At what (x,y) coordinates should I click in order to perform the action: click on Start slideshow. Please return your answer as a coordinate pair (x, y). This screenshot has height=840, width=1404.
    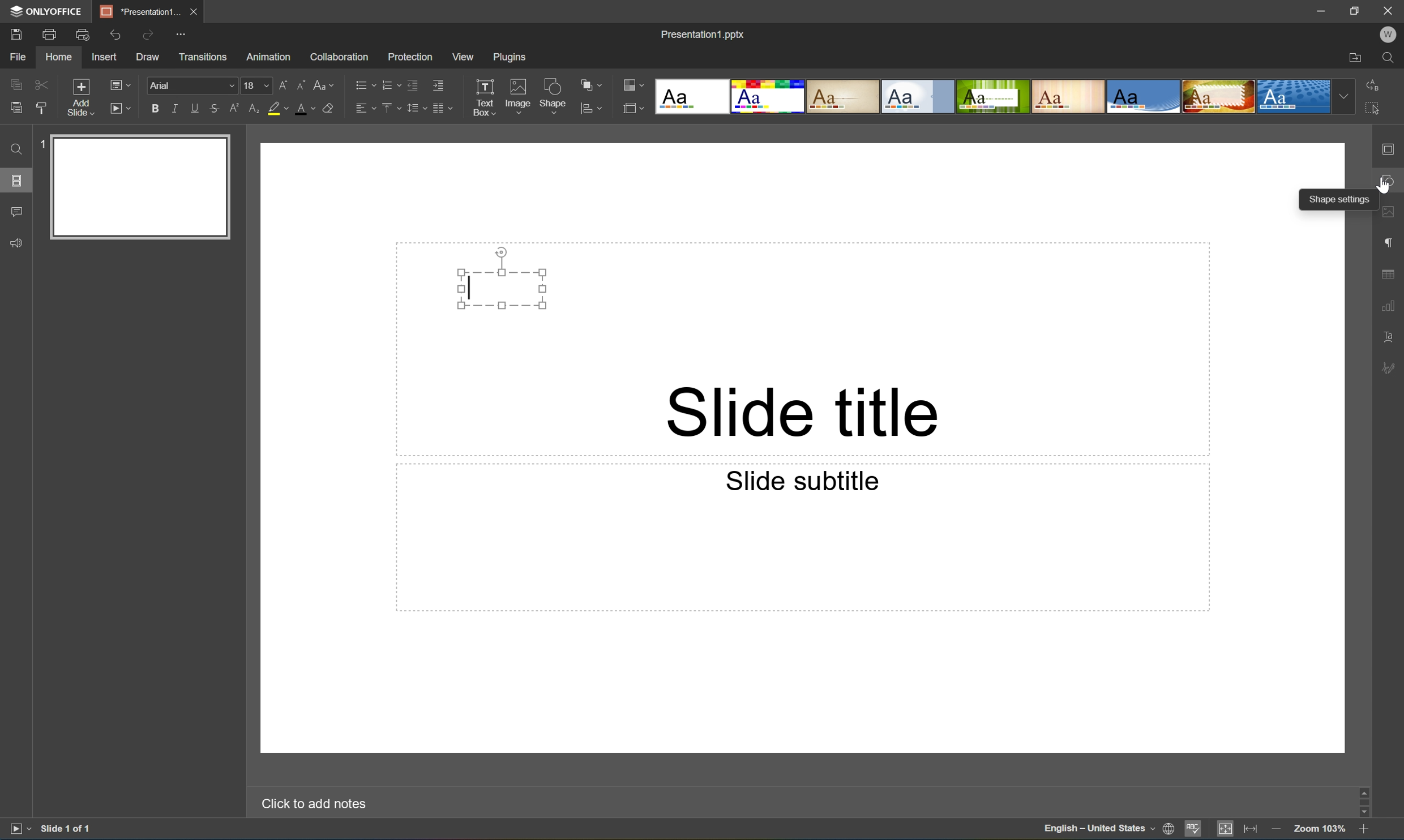
    Looking at the image, I should click on (19, 828).